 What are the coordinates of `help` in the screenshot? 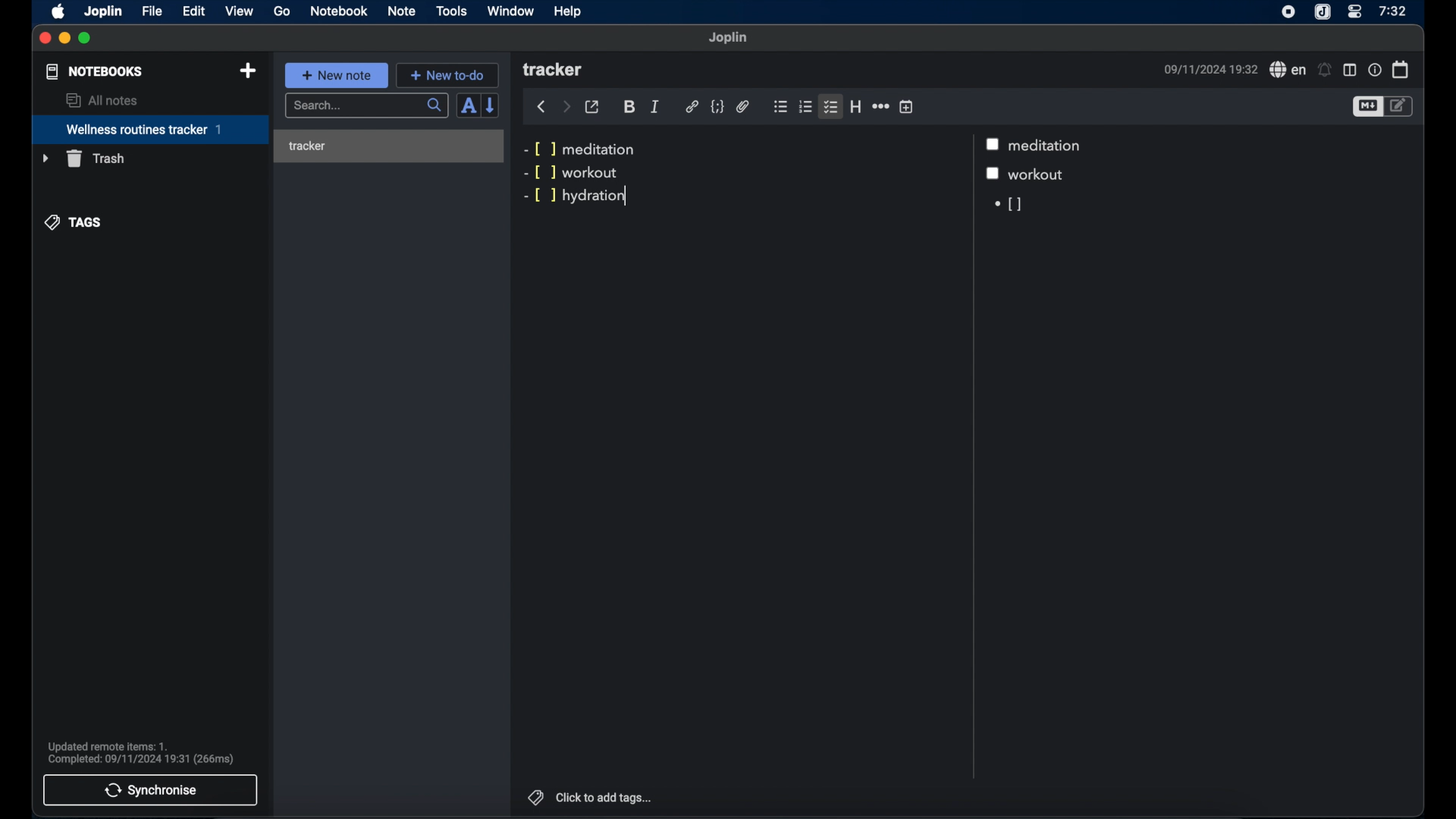 It's located at (569, 11).